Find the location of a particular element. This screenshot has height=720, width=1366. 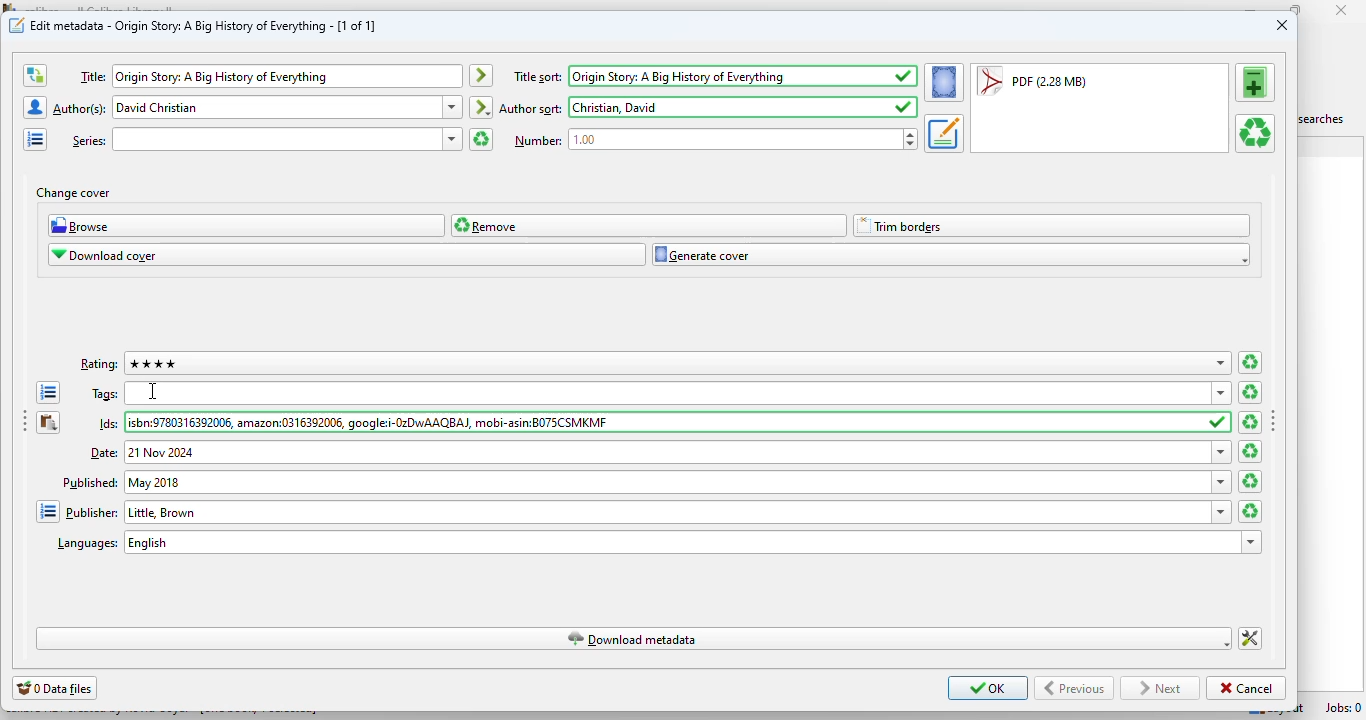

0 data files is located at coordinates (54, 688).